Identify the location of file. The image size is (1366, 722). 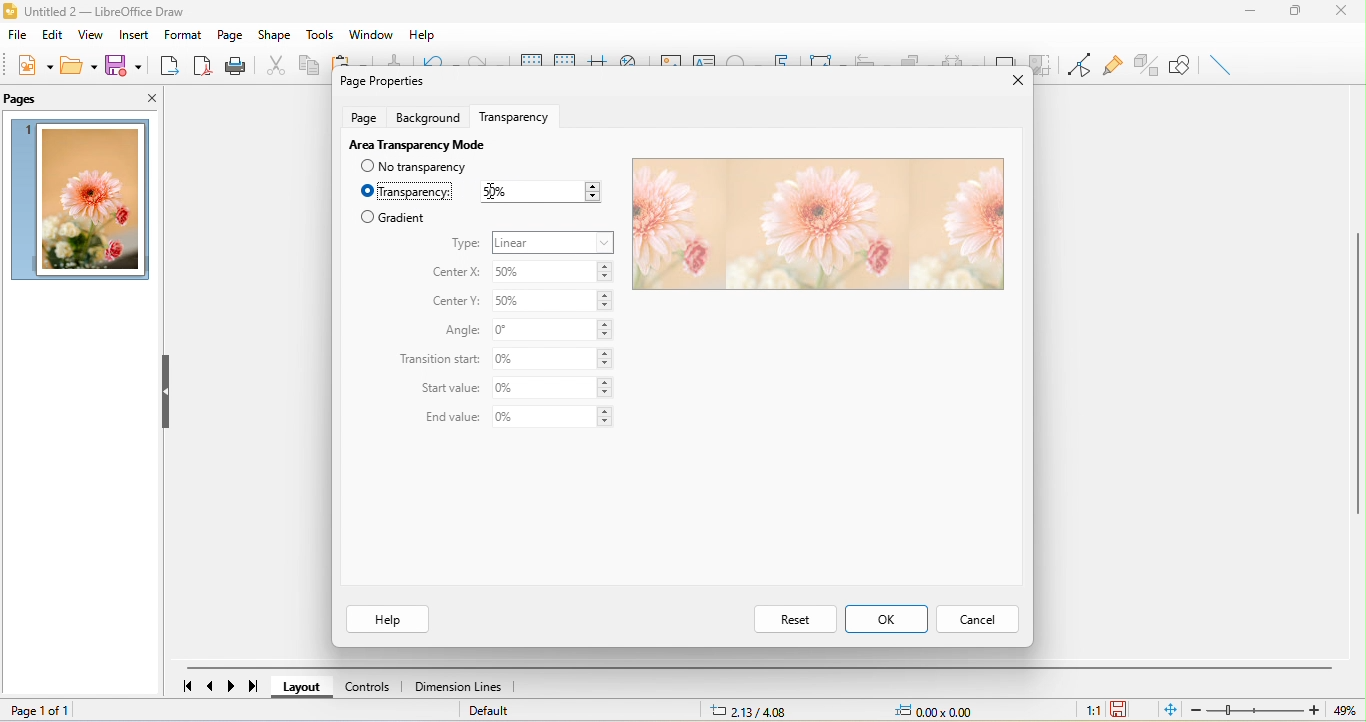
(19, 35).